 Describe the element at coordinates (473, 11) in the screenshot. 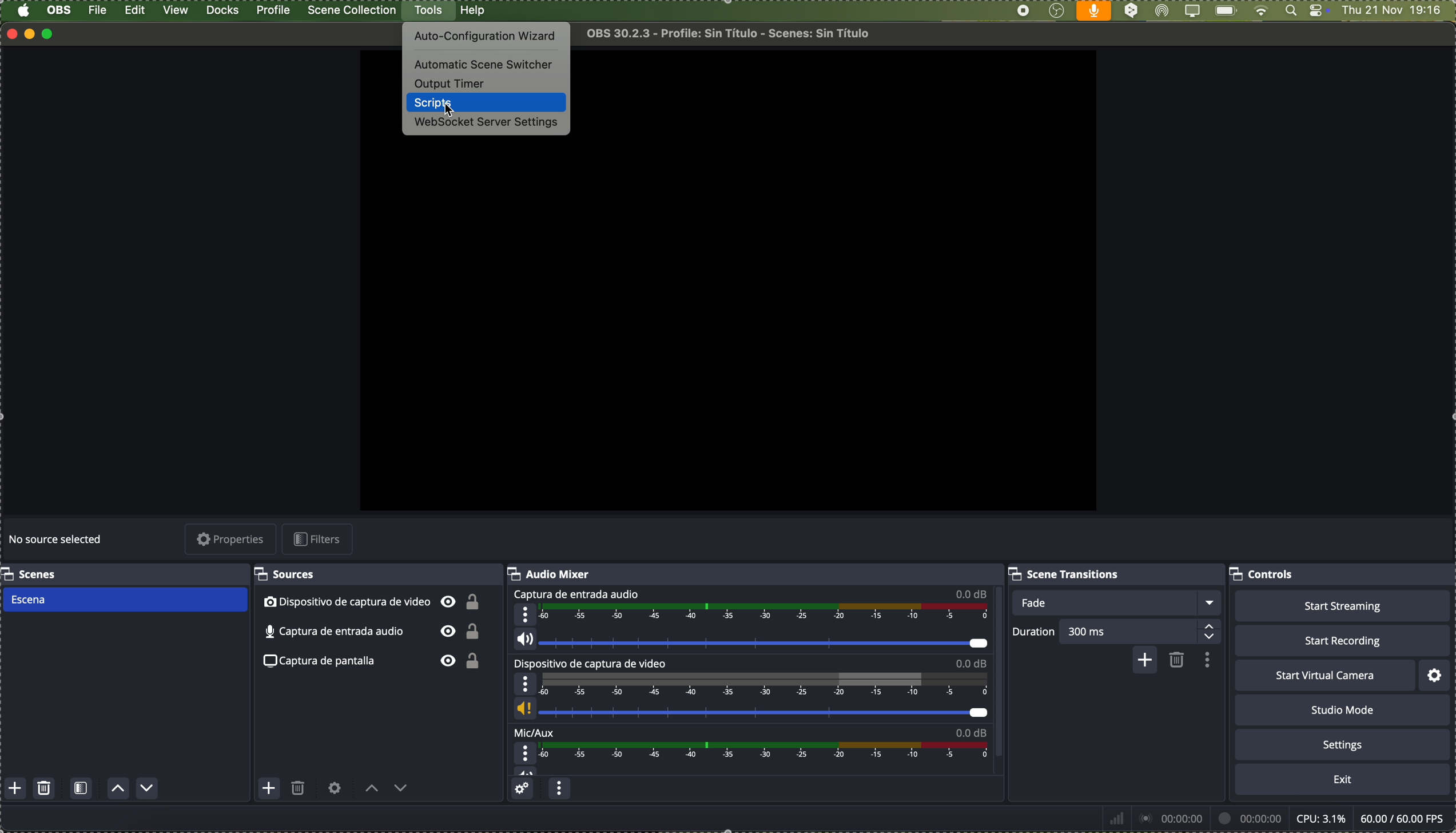

I see `help` at that location.